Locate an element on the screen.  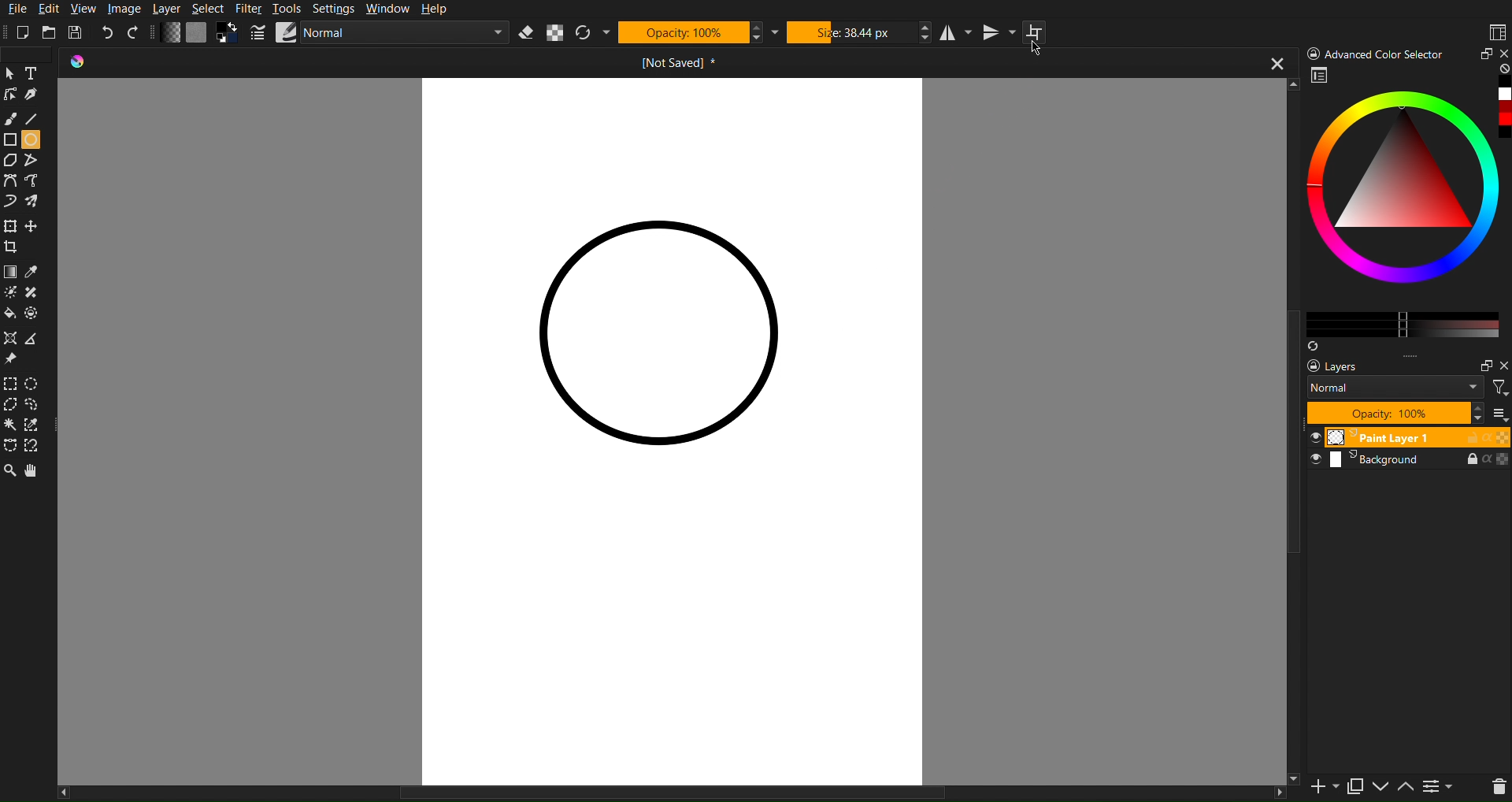
Normal is located at coordinates (1396, 387).